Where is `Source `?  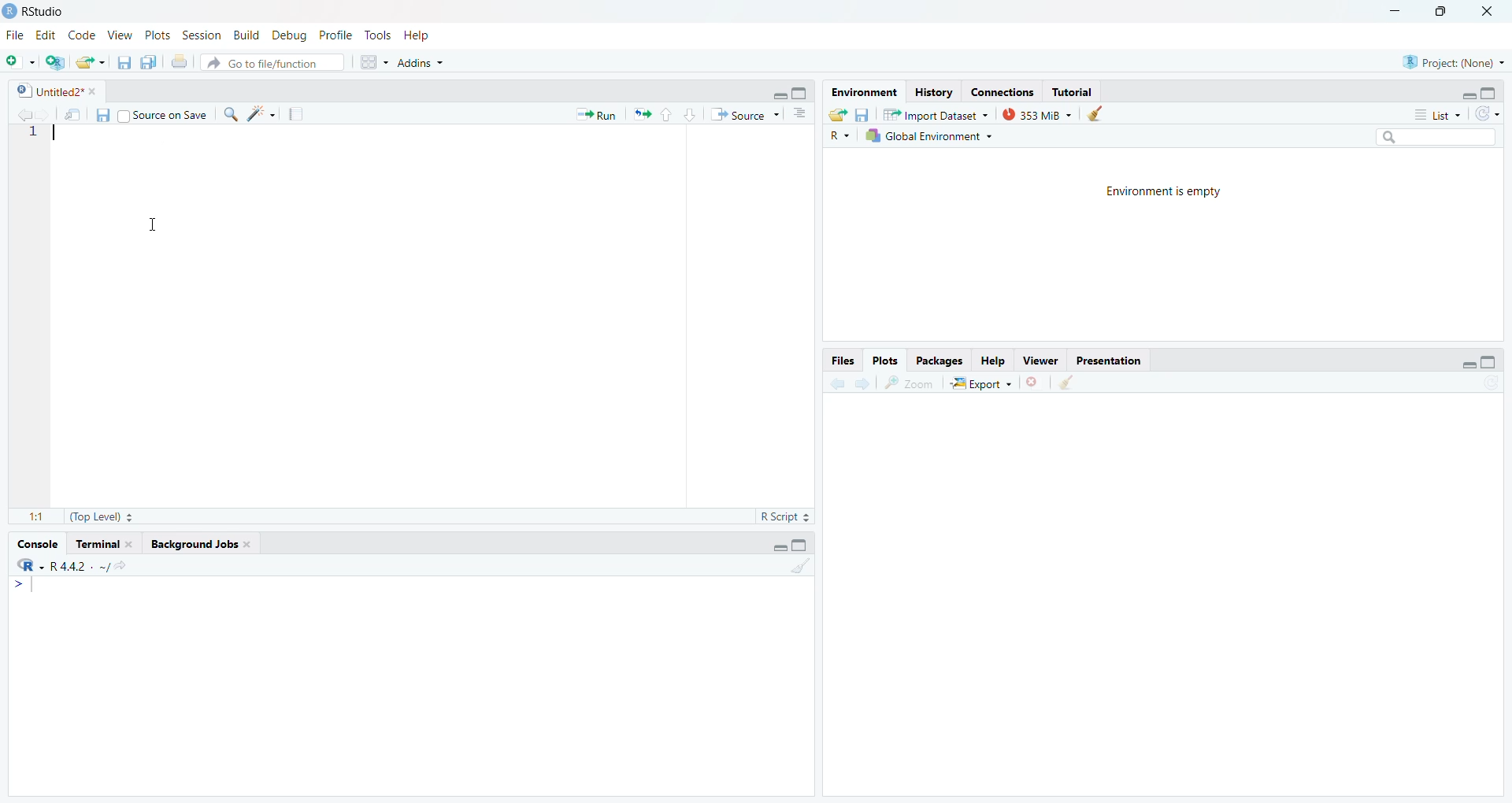 Source  is located at coordinates (744, 114).